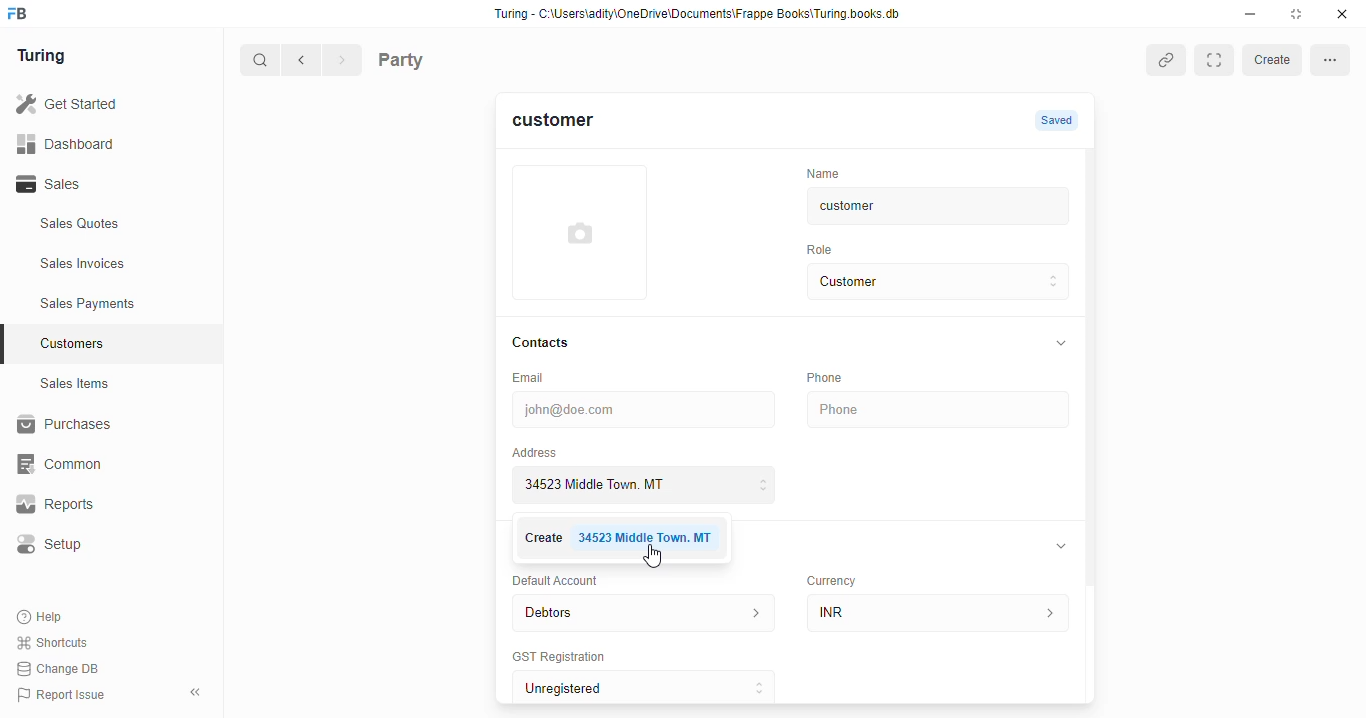 The height and width of the screenshot is (718, 1366). What do you see at coordinates (1059, 121) in the screenshot?
I see `Saved` at bounding box center [1059, 121].